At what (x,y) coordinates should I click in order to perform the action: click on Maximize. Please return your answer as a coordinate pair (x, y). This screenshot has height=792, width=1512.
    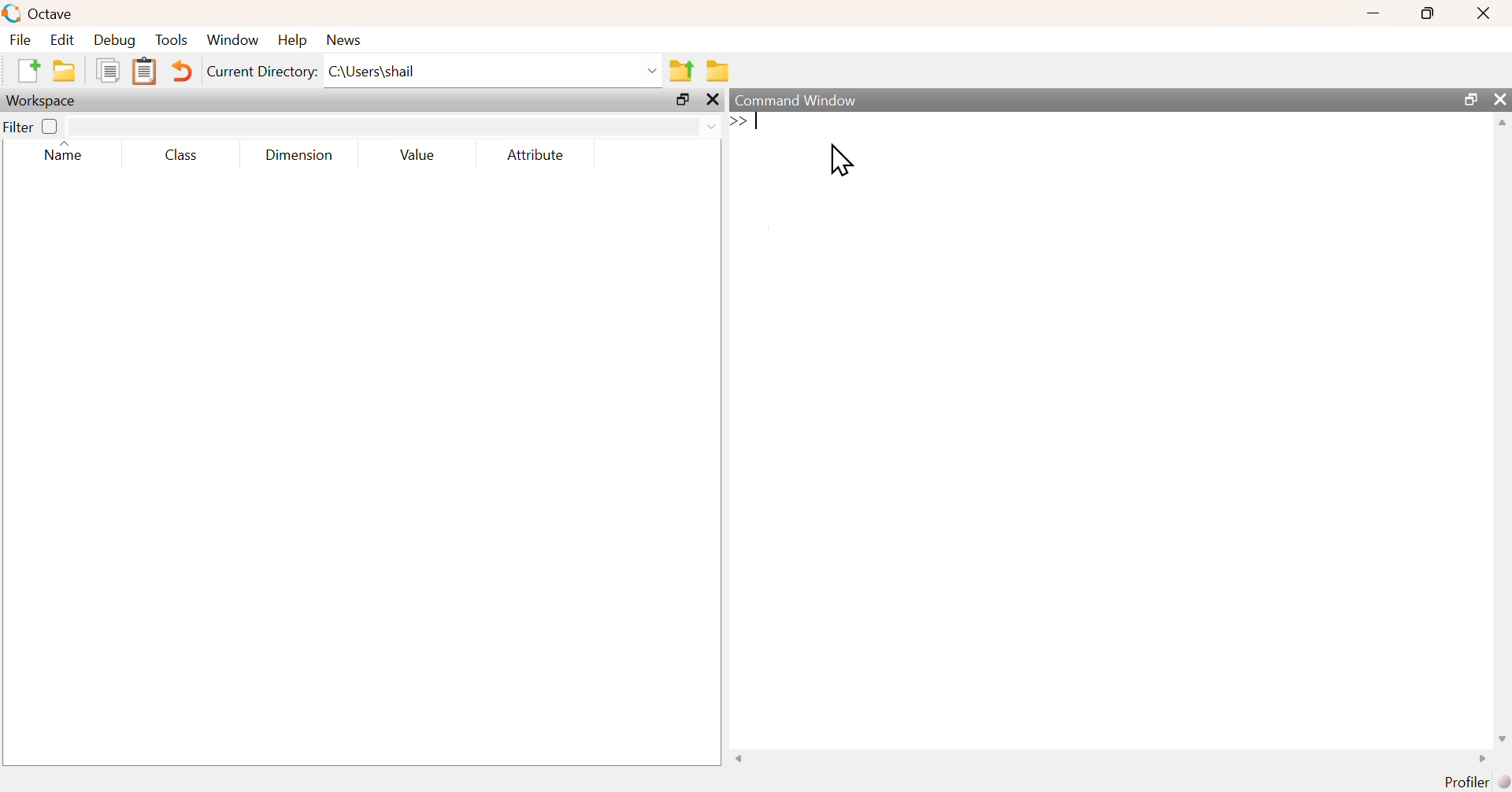
    Looking at the image, I should click on (1429, 13).